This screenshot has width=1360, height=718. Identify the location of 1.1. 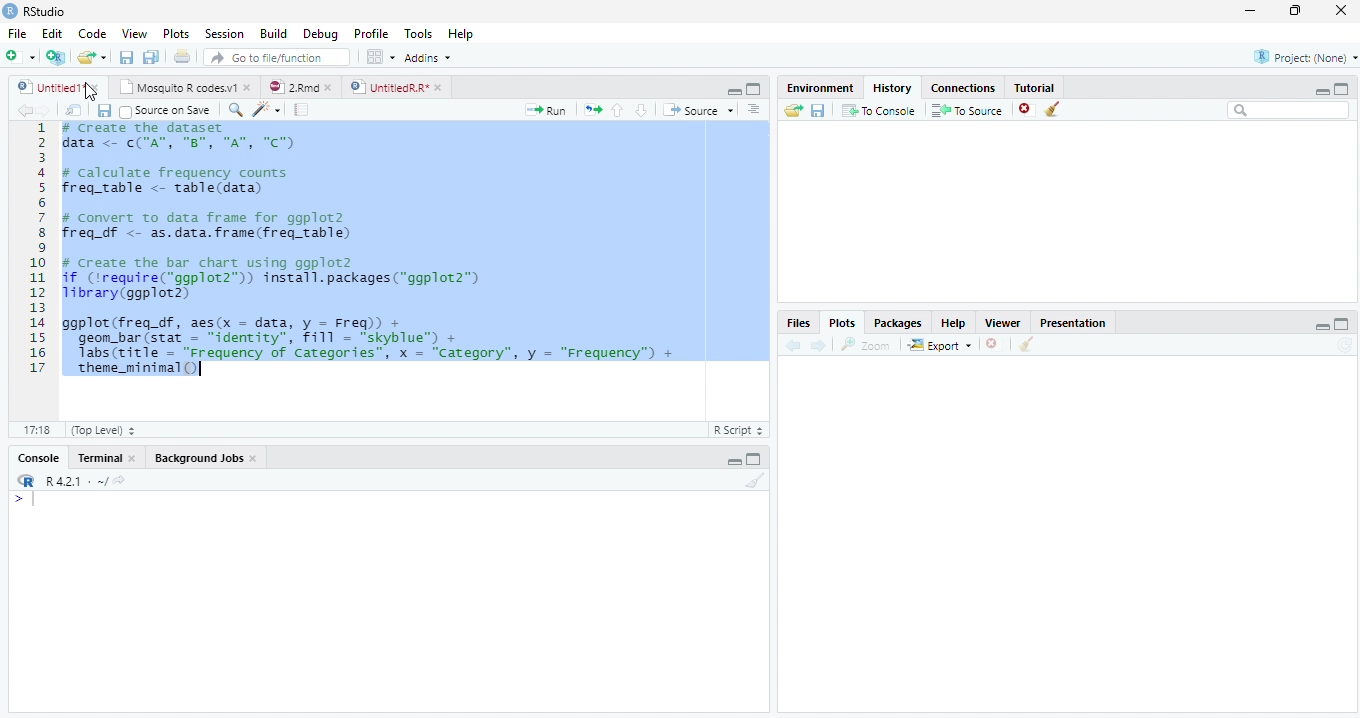
(32, 429).